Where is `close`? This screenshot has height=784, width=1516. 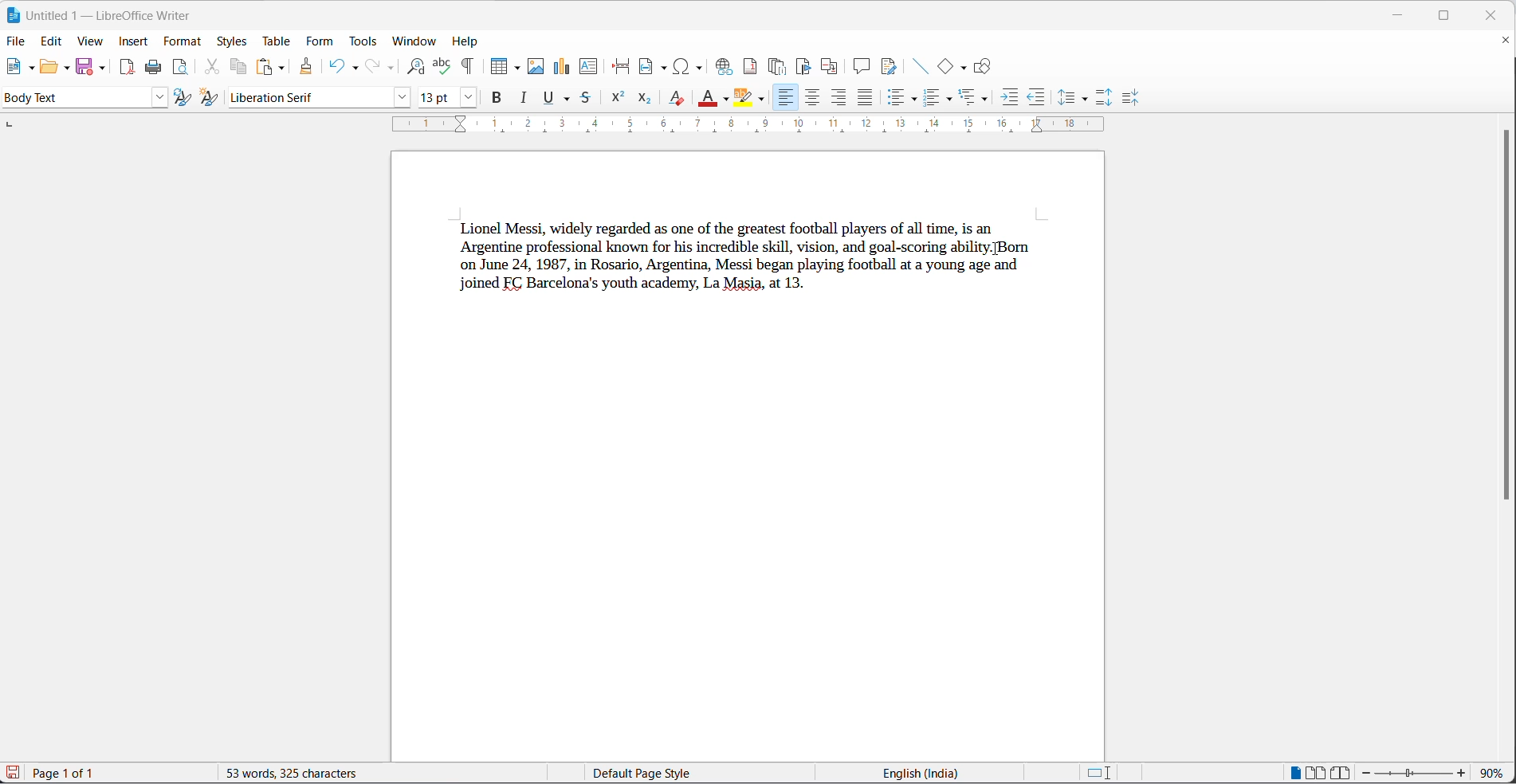 close is located at coordinates (1404, 13).